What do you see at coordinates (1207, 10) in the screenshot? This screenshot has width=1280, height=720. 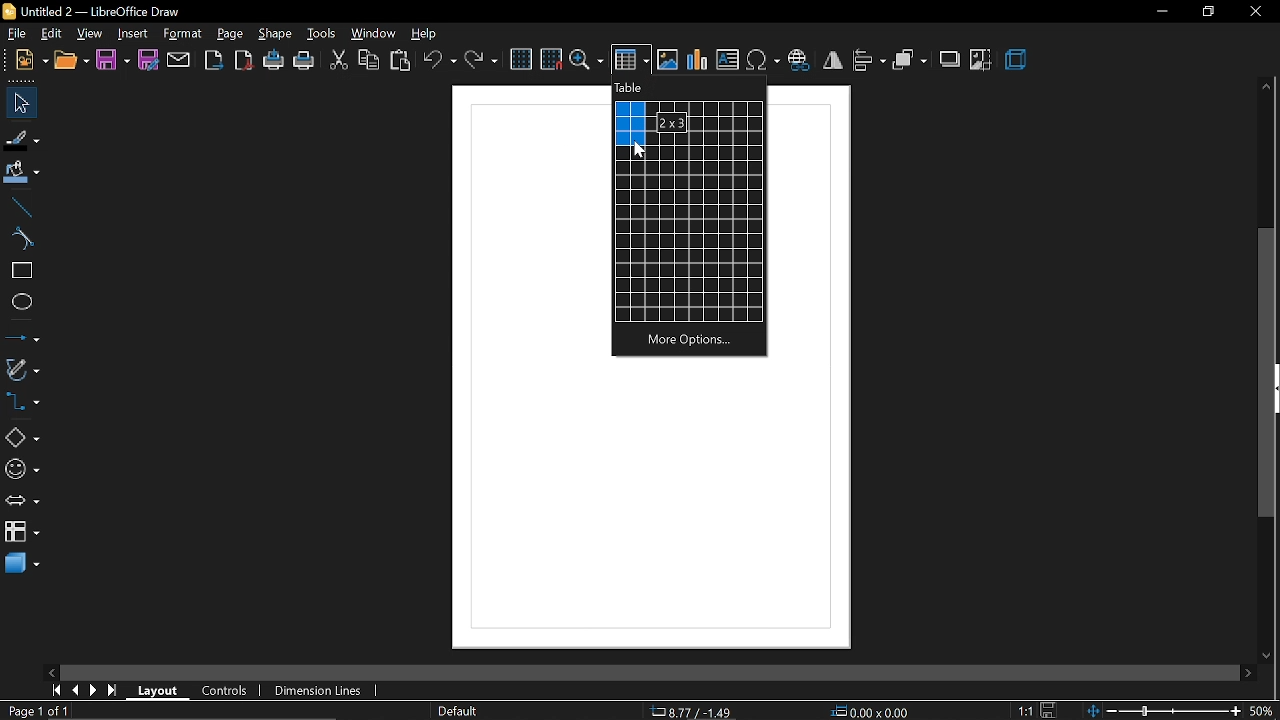 I see `restore down` at bounding box center [1207, 10].